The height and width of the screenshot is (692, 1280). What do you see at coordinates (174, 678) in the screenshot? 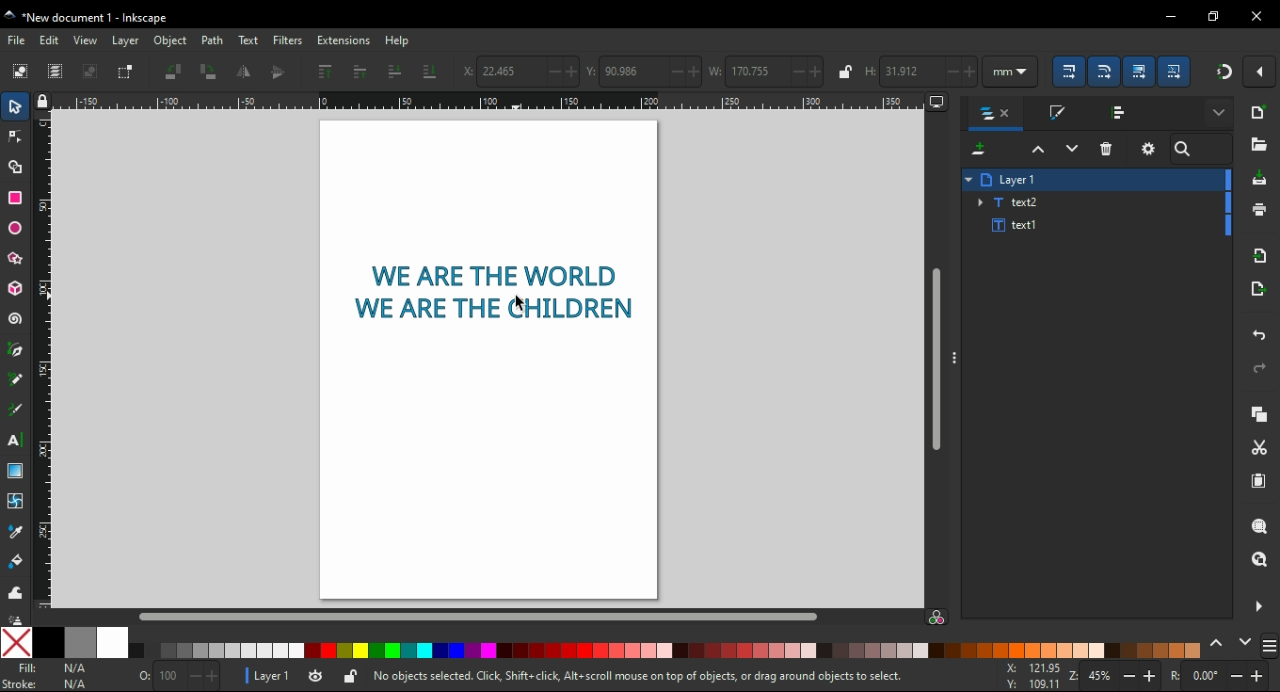
I see `opacity` at bounding box center [174, 678].